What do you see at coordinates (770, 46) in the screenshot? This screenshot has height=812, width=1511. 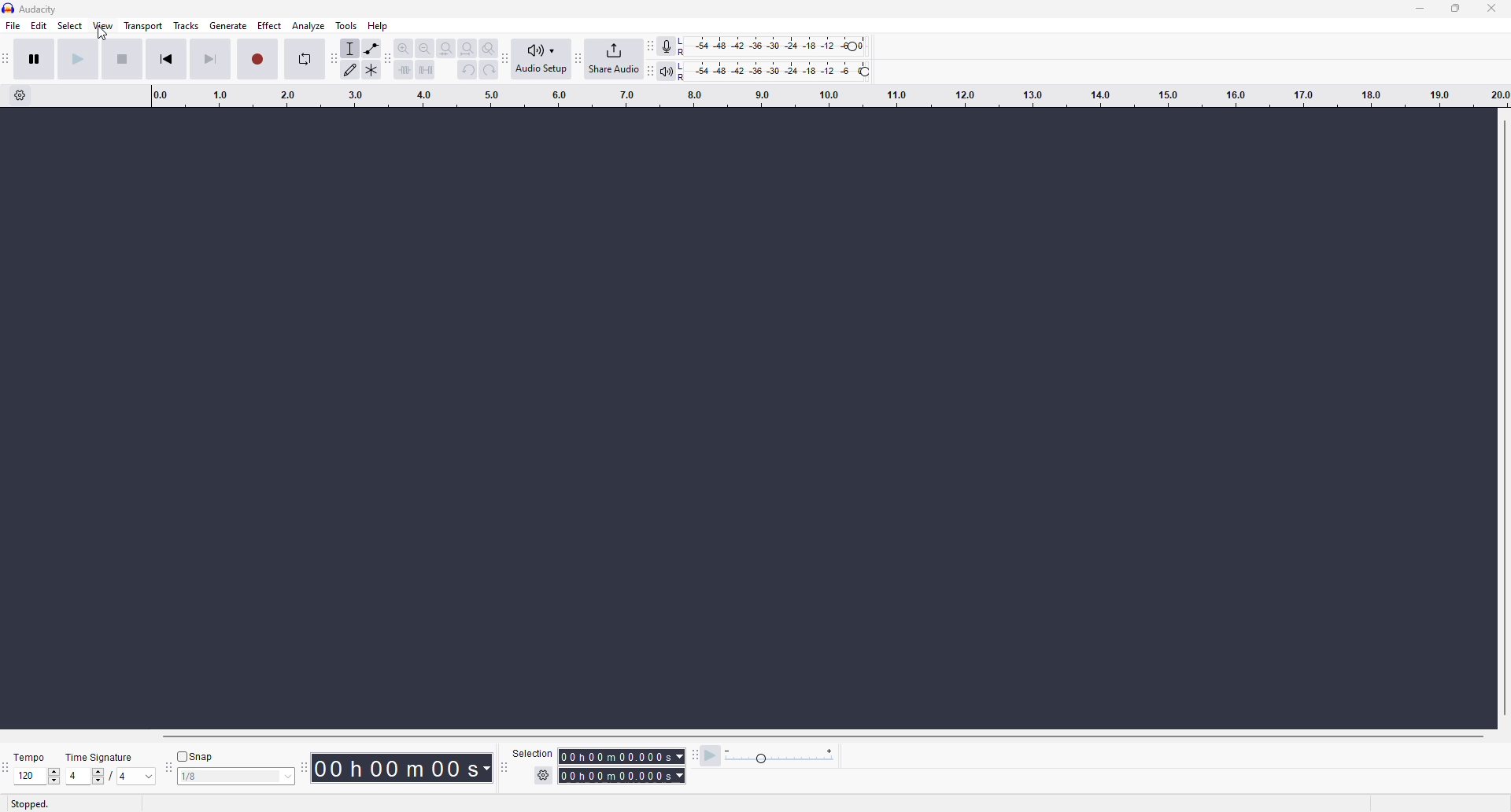 I see `recording level` at bounding box center [770, 46].